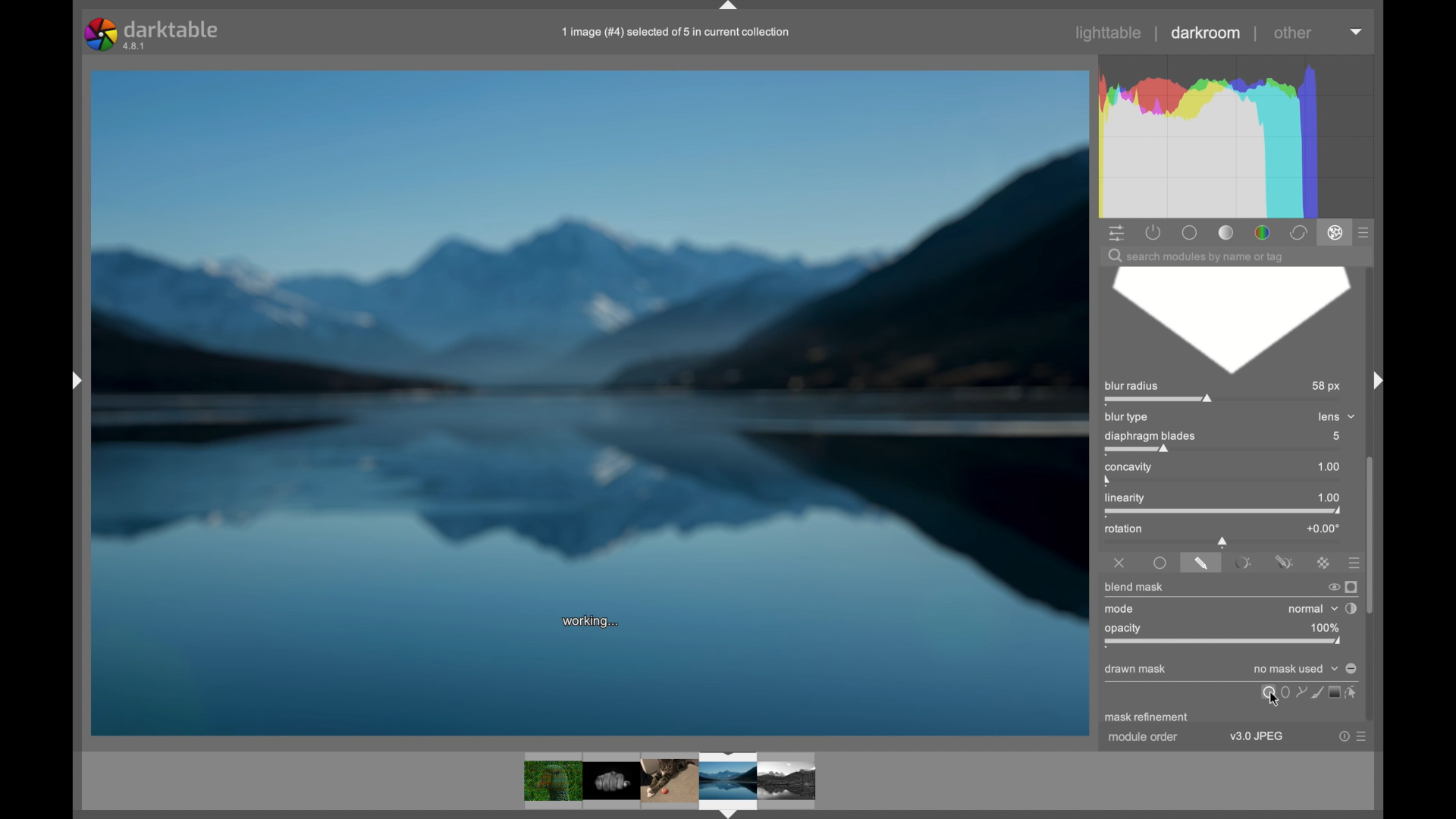  I want to click on slider, so click(1223, 541).